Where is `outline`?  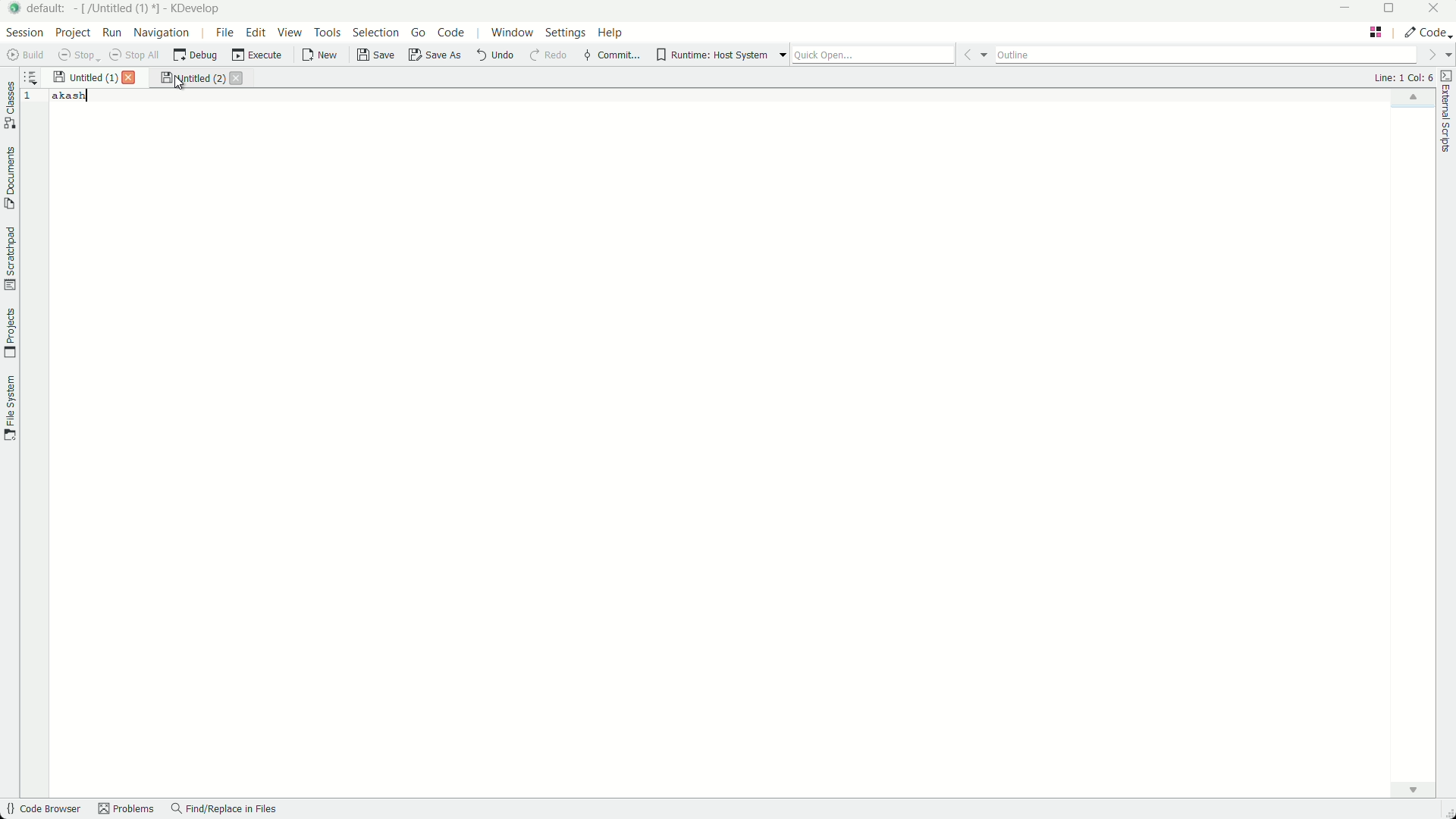
outline is located at coordinates (1204, 54).